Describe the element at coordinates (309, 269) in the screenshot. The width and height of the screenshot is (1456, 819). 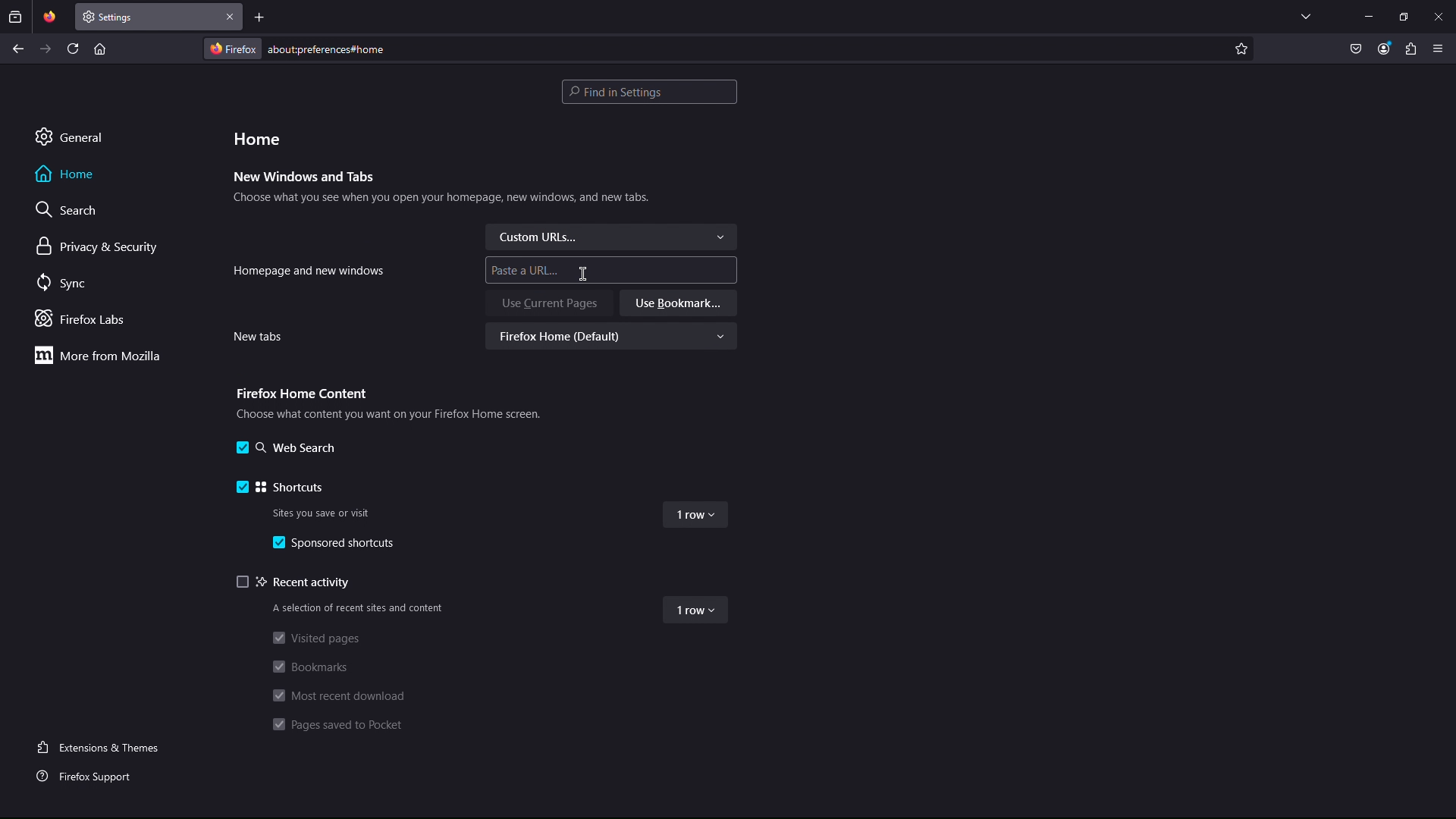
I see `Homepage and new windows` at that location.